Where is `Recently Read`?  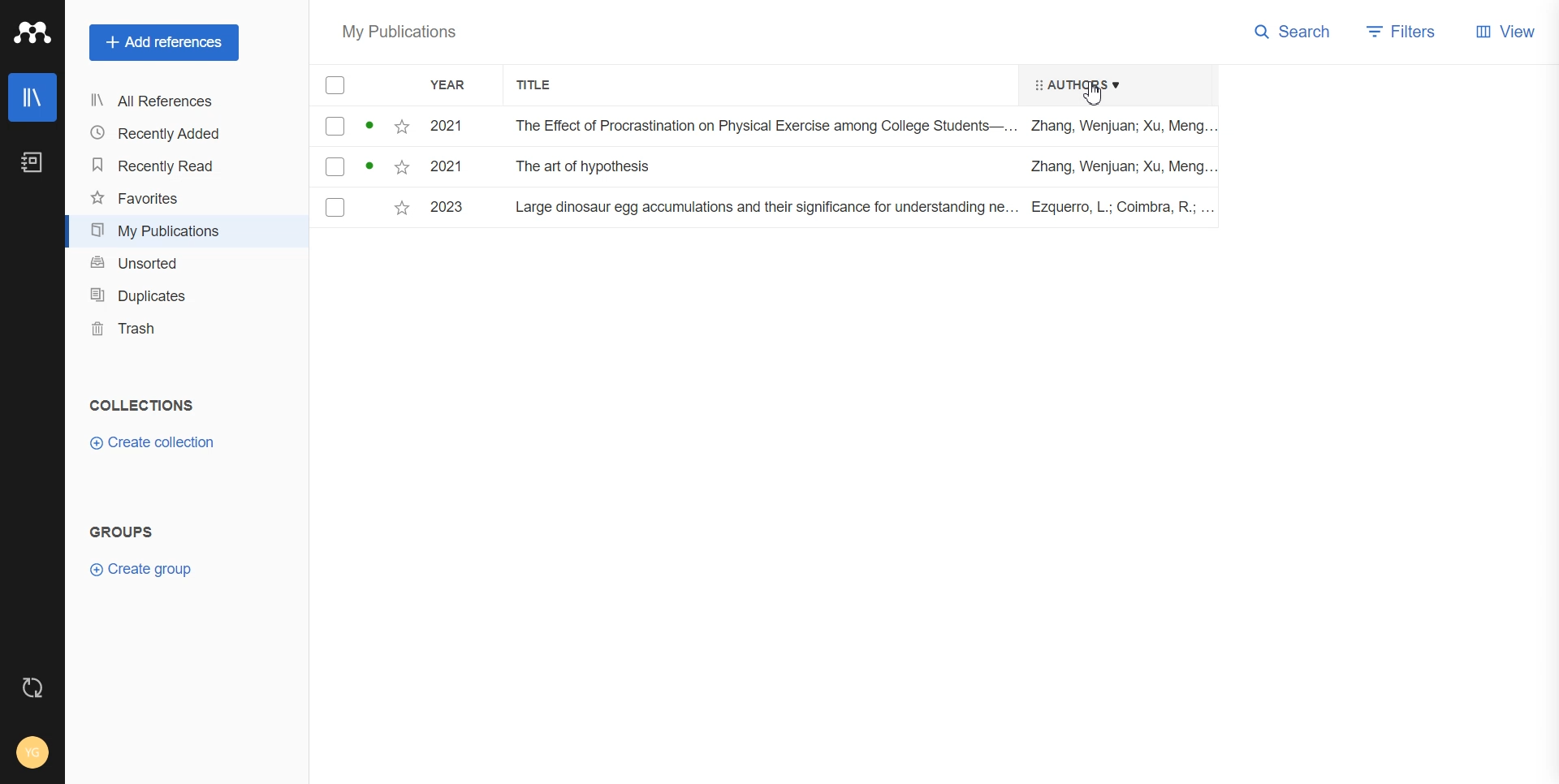 Recently Read is located at coordinates (179, 166).